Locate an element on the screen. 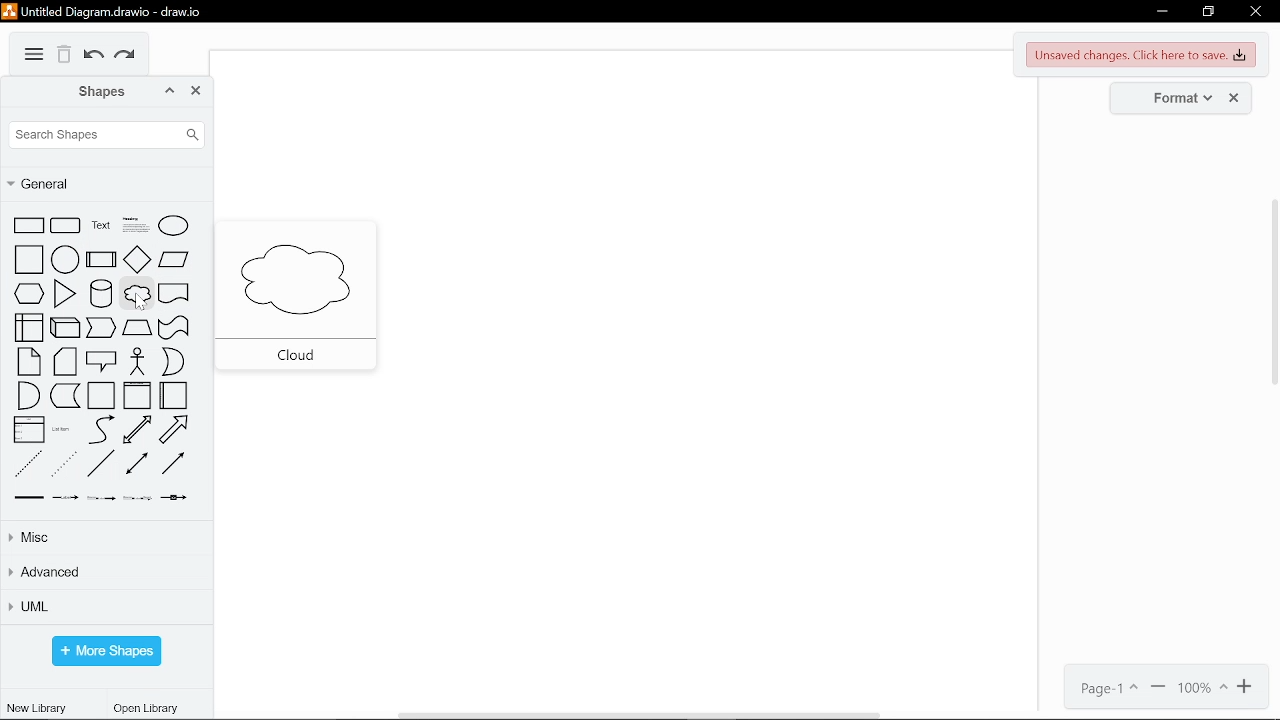  minimize is located at coordinates (1161, 9).